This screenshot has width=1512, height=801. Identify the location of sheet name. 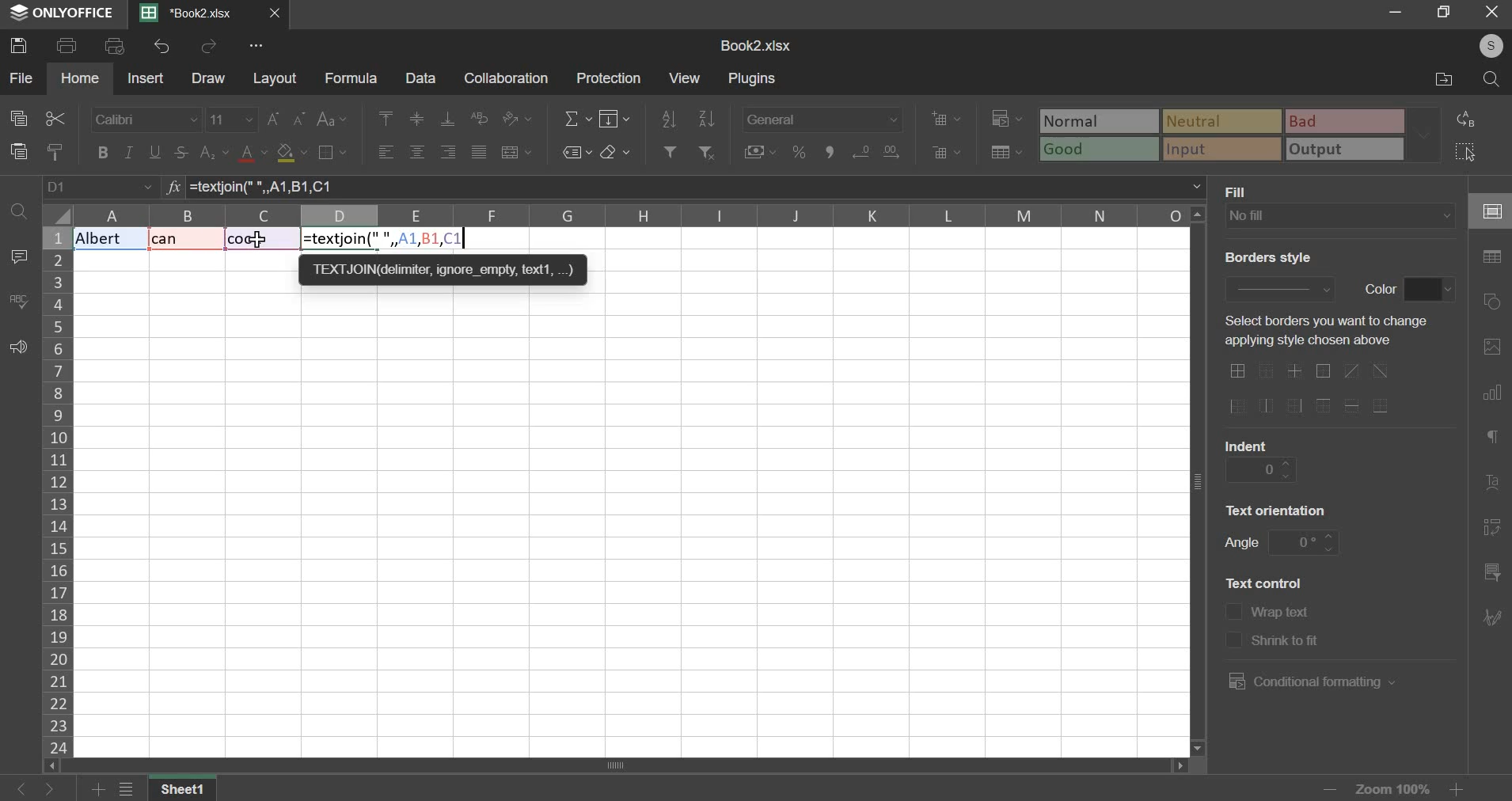
(188, 790).